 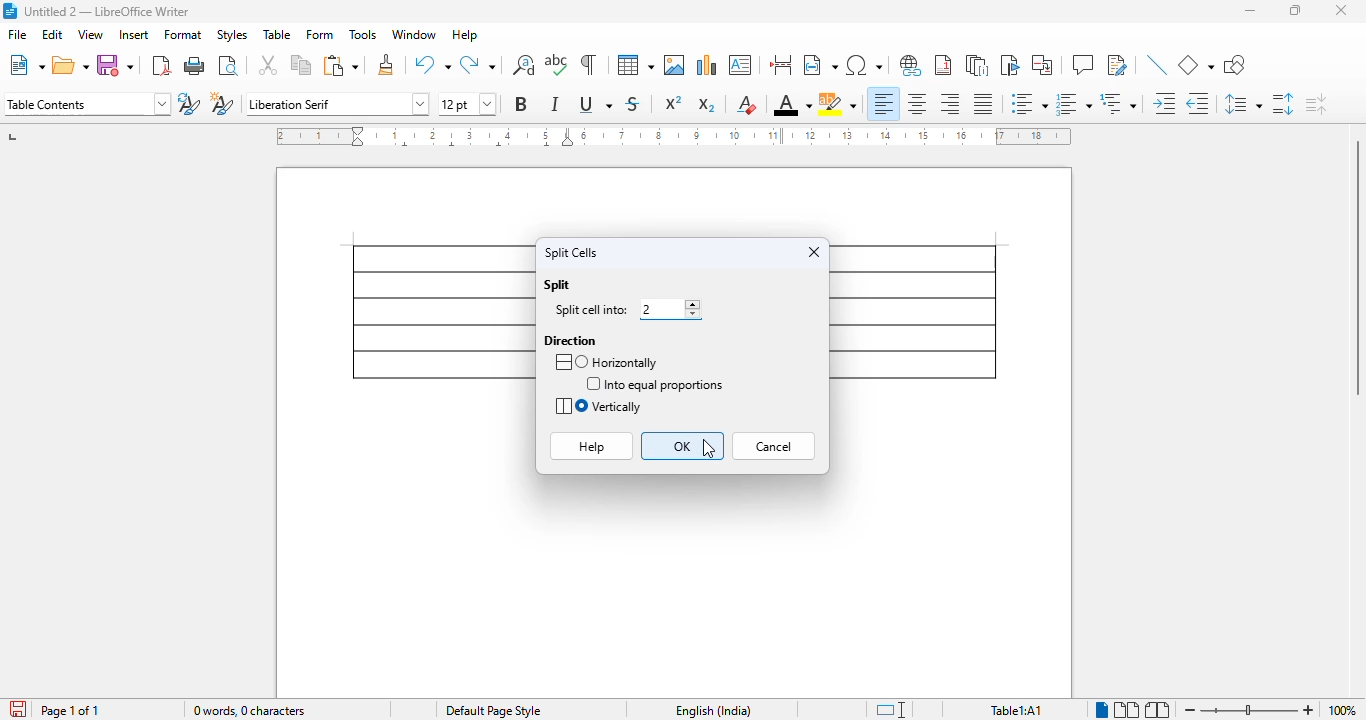 I want to click on new, so click(x=26, y=66).